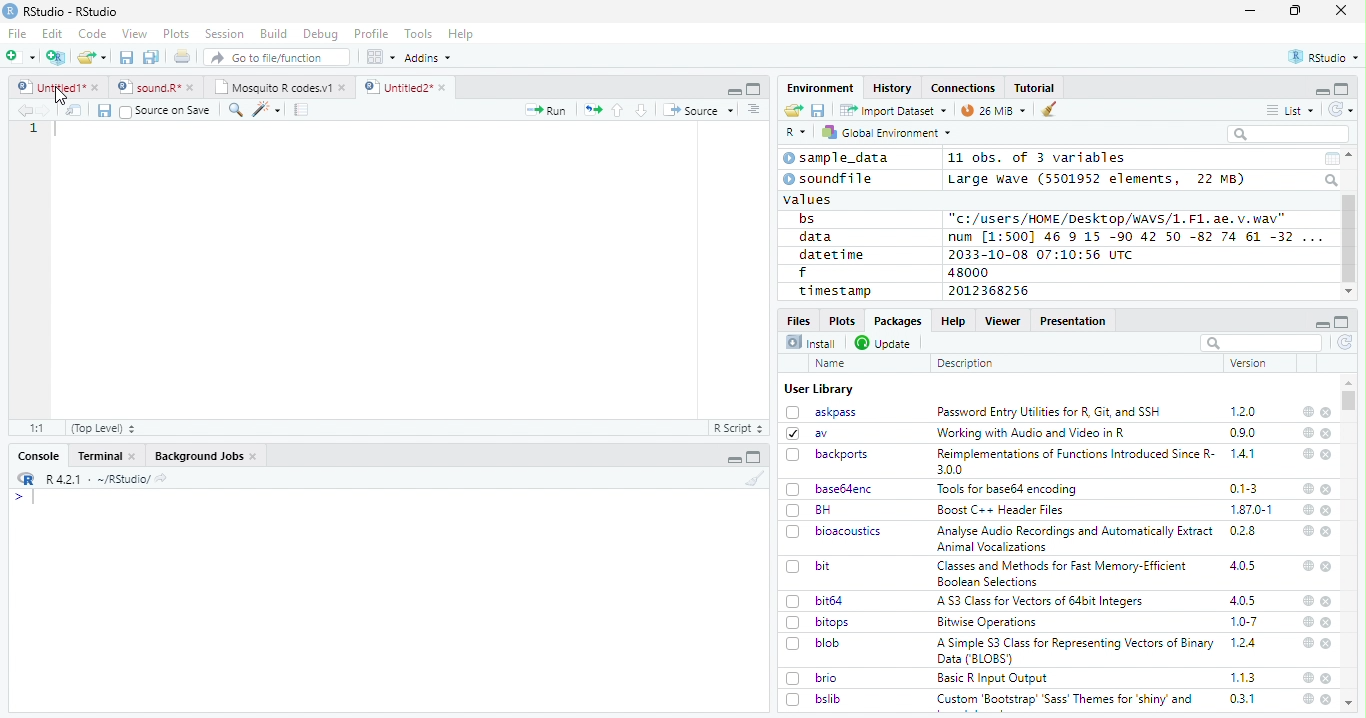 The width and height of the screenshot is (1366, 718). I want to click on Description, so click(966, 363).